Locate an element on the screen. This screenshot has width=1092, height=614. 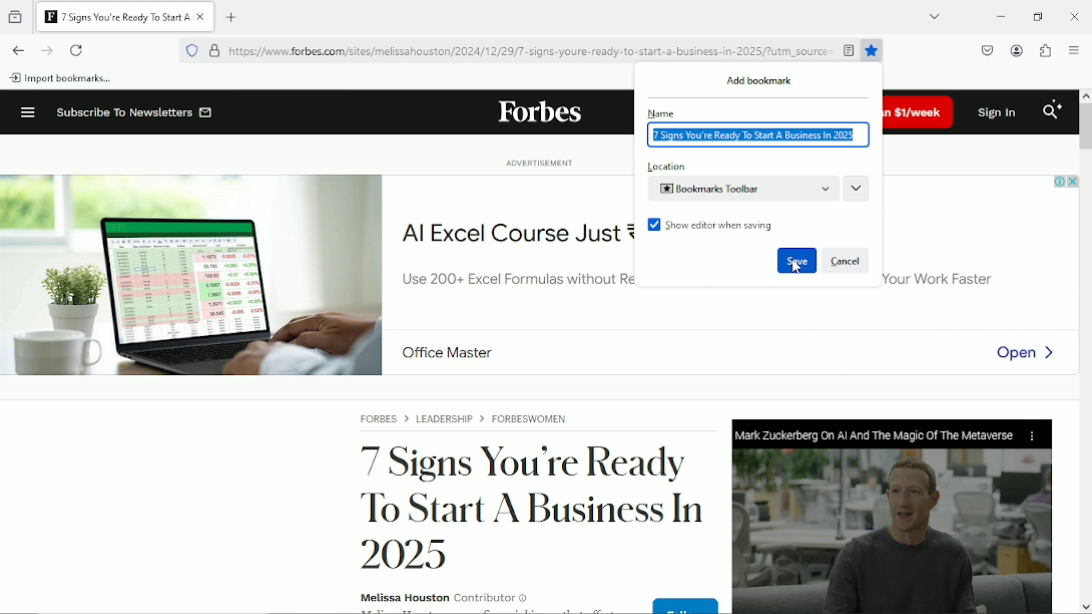
Article is located at coordinates (653, 507).